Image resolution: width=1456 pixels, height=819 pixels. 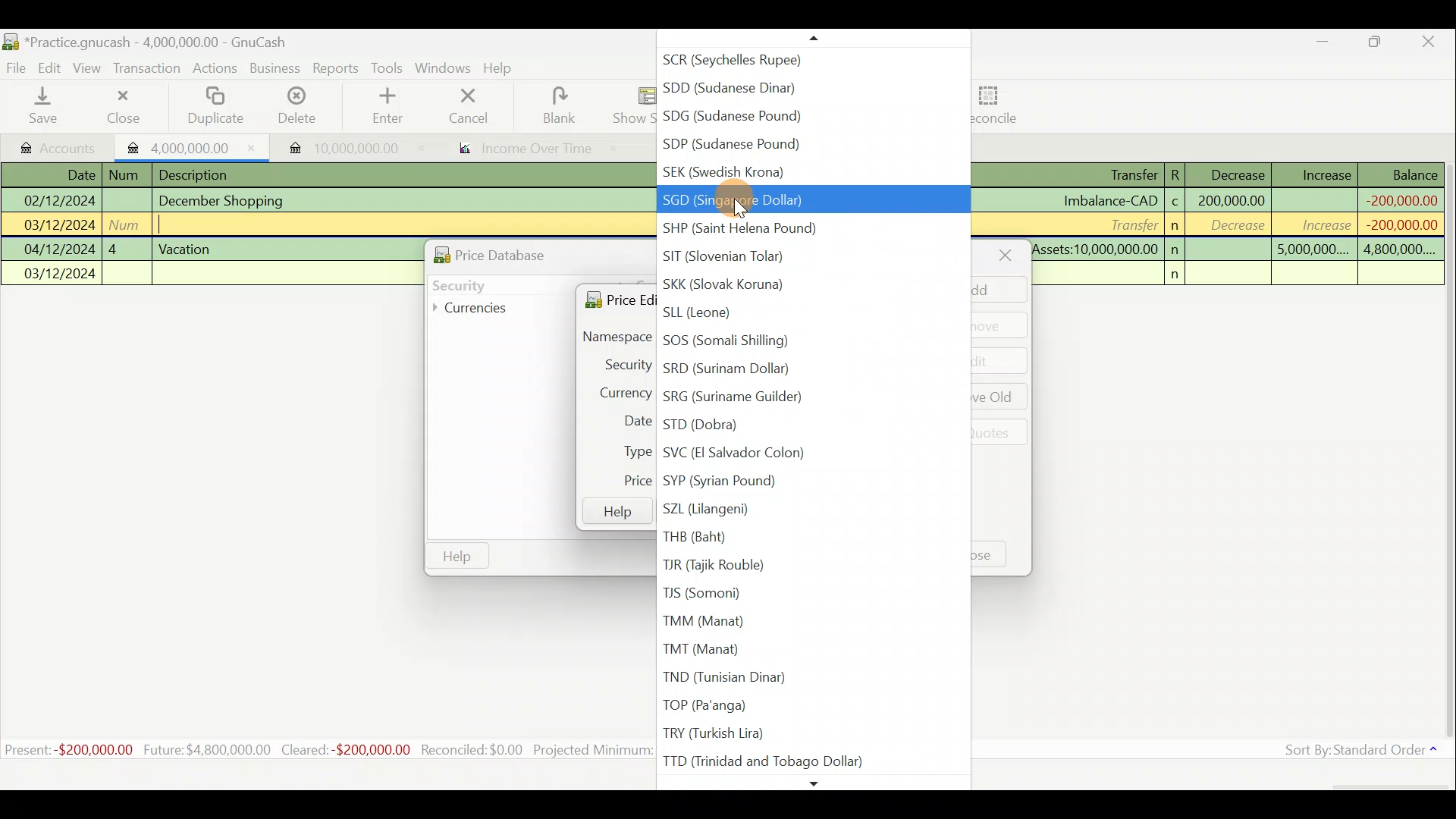 I want to click on Security, so click(x=490, y=284).